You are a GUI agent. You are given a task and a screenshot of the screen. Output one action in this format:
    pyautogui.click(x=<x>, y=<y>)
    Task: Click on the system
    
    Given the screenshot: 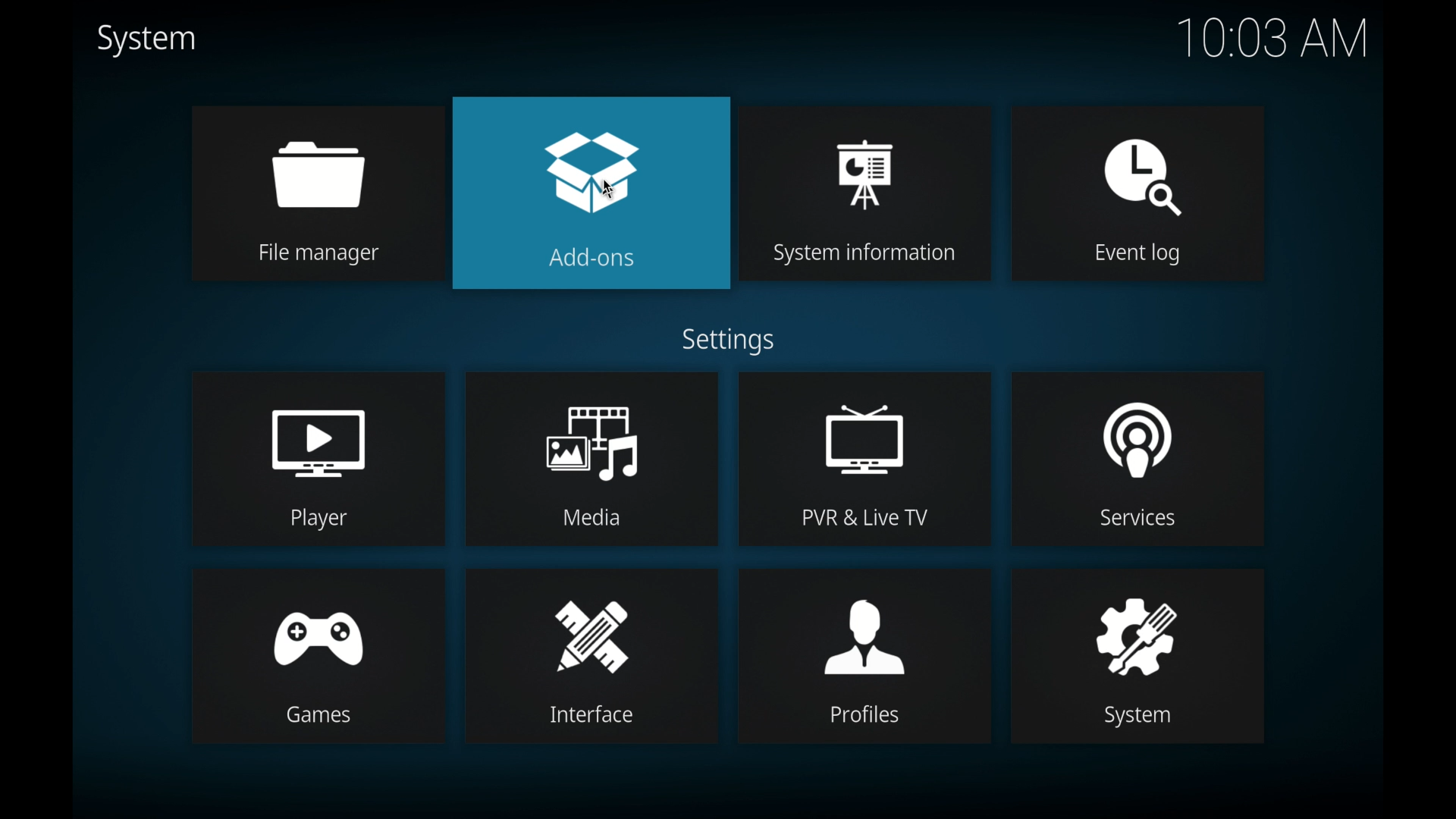 What is the action you would take?
    pyautogui.click(x=1139, y=656)
    